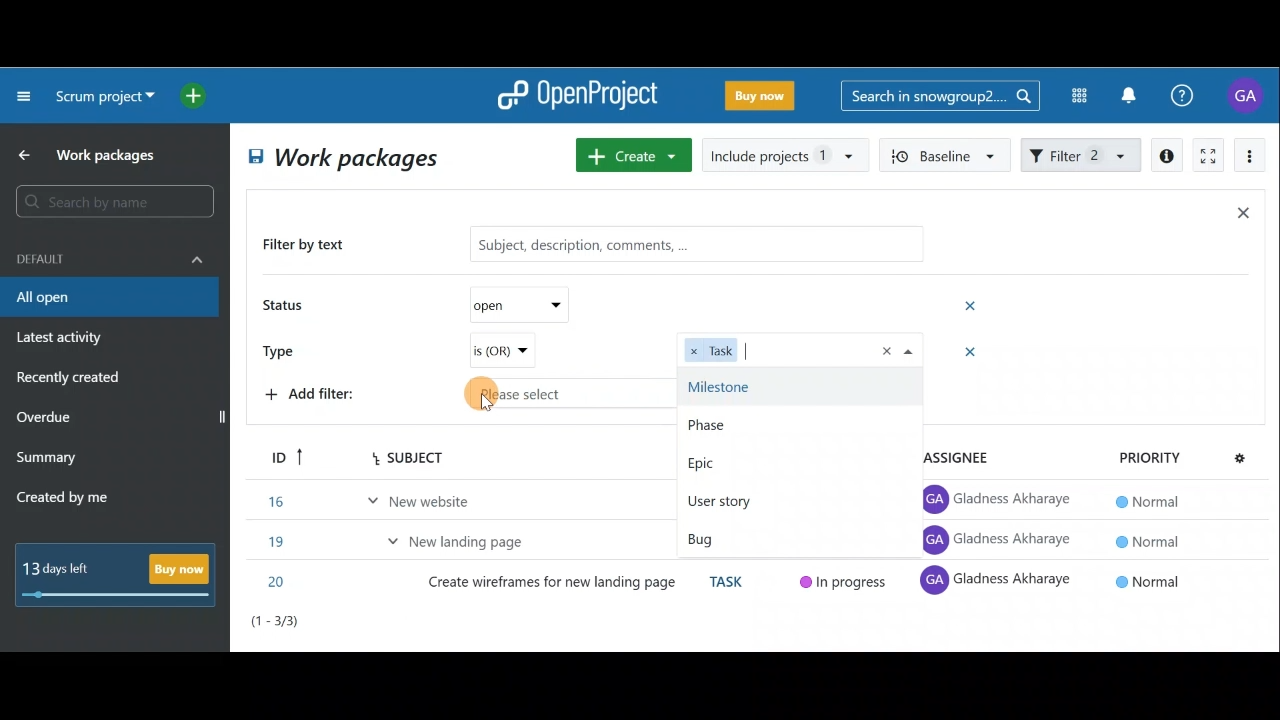 The width and height of the screenshot is (1280, 720). Describe the element at coordinates (110, 257) in the screenshot. I see `Default` at that location.